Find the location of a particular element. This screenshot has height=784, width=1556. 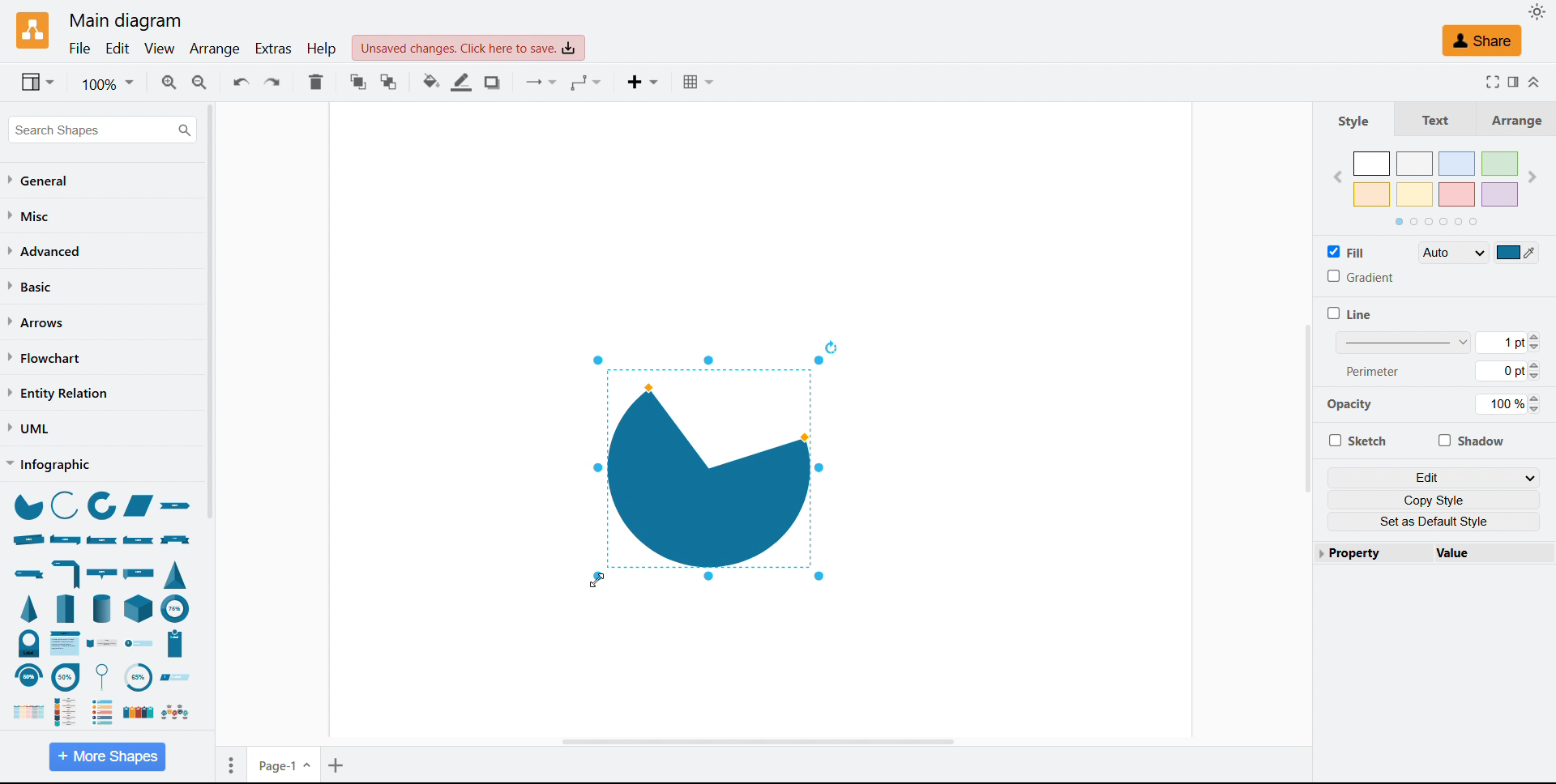

pyramid is located at coordinates (32, 608).